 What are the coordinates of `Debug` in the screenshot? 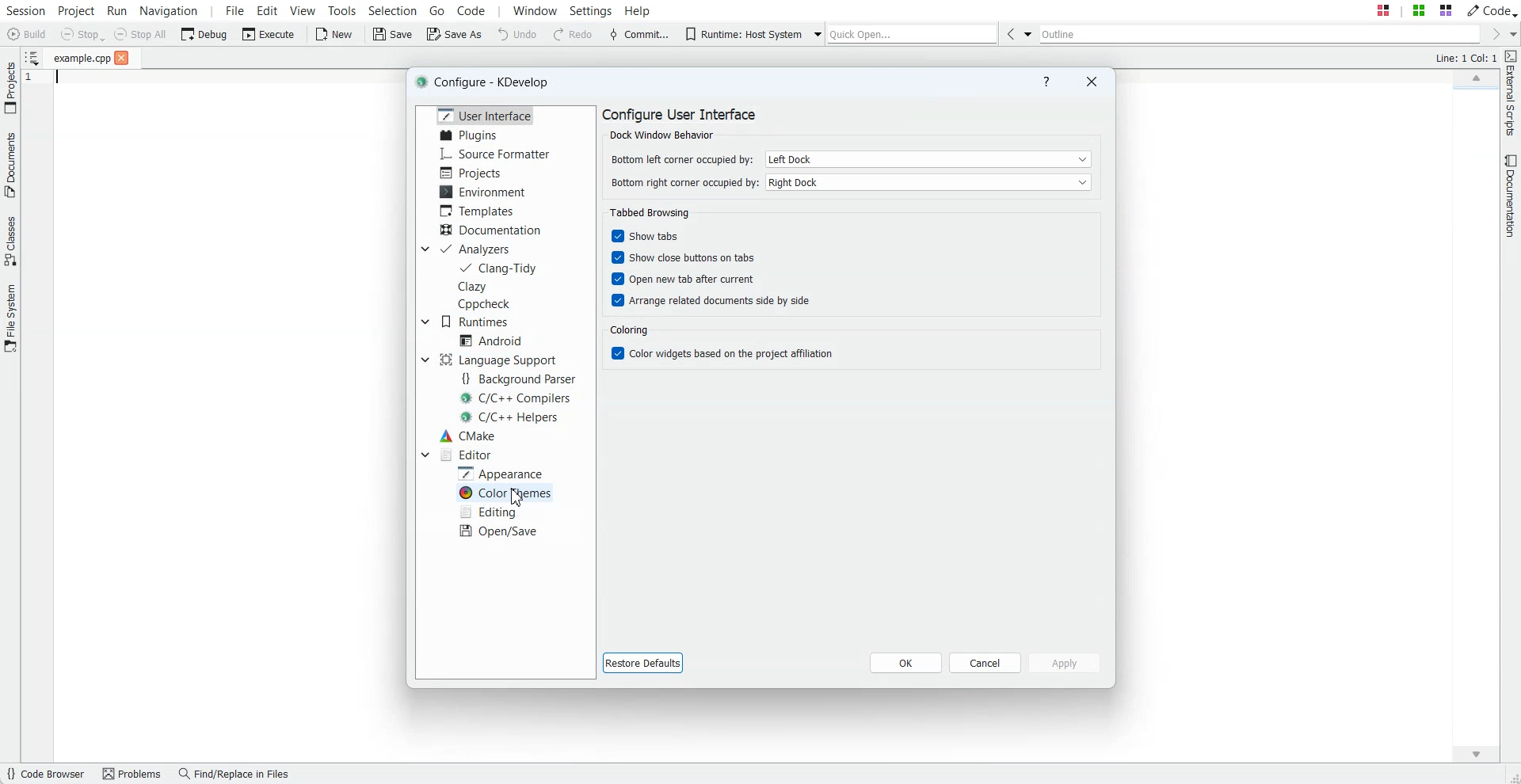 It's located at (204, 33).